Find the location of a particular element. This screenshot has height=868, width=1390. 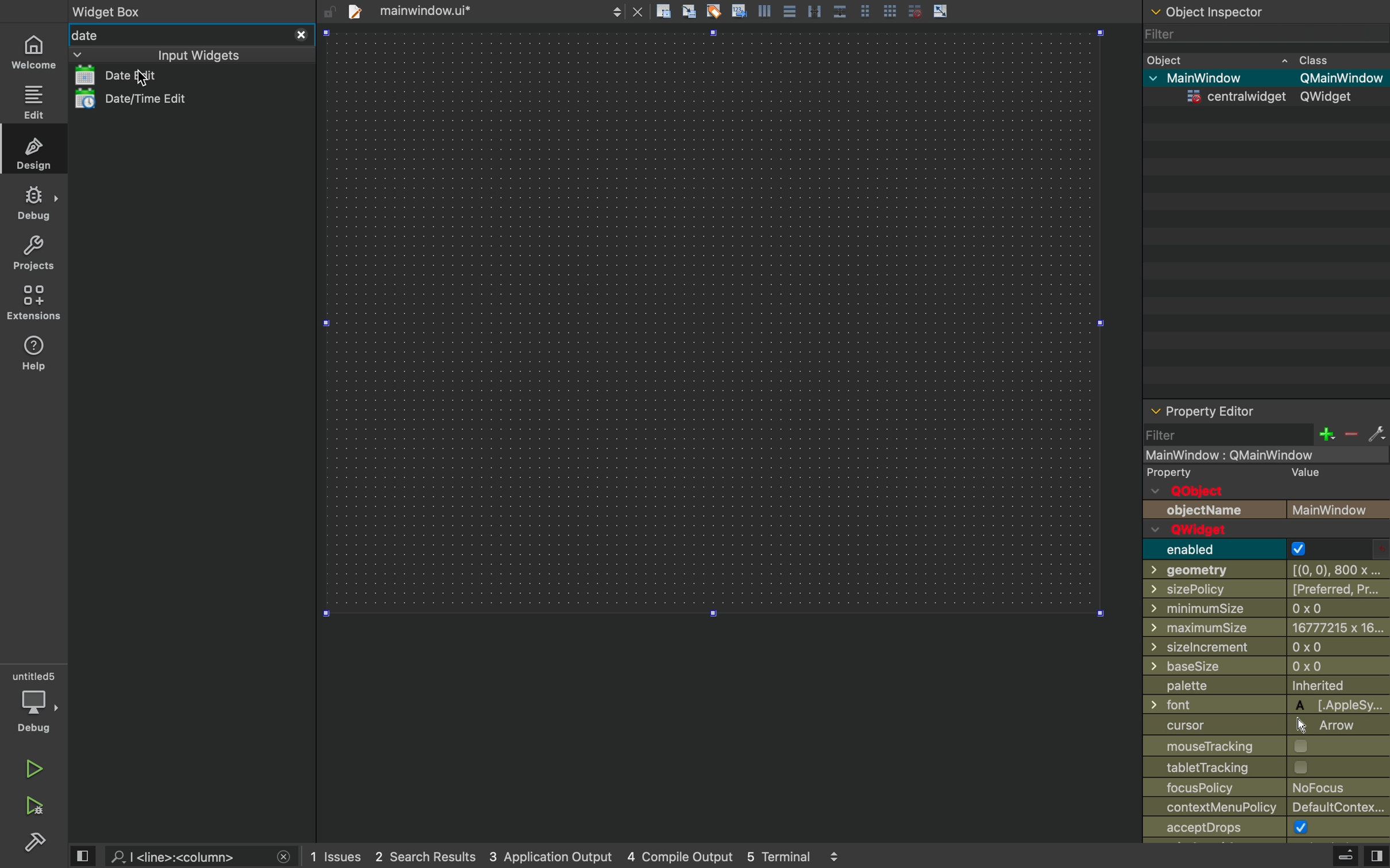

view is located at coordinates (1376, 854).